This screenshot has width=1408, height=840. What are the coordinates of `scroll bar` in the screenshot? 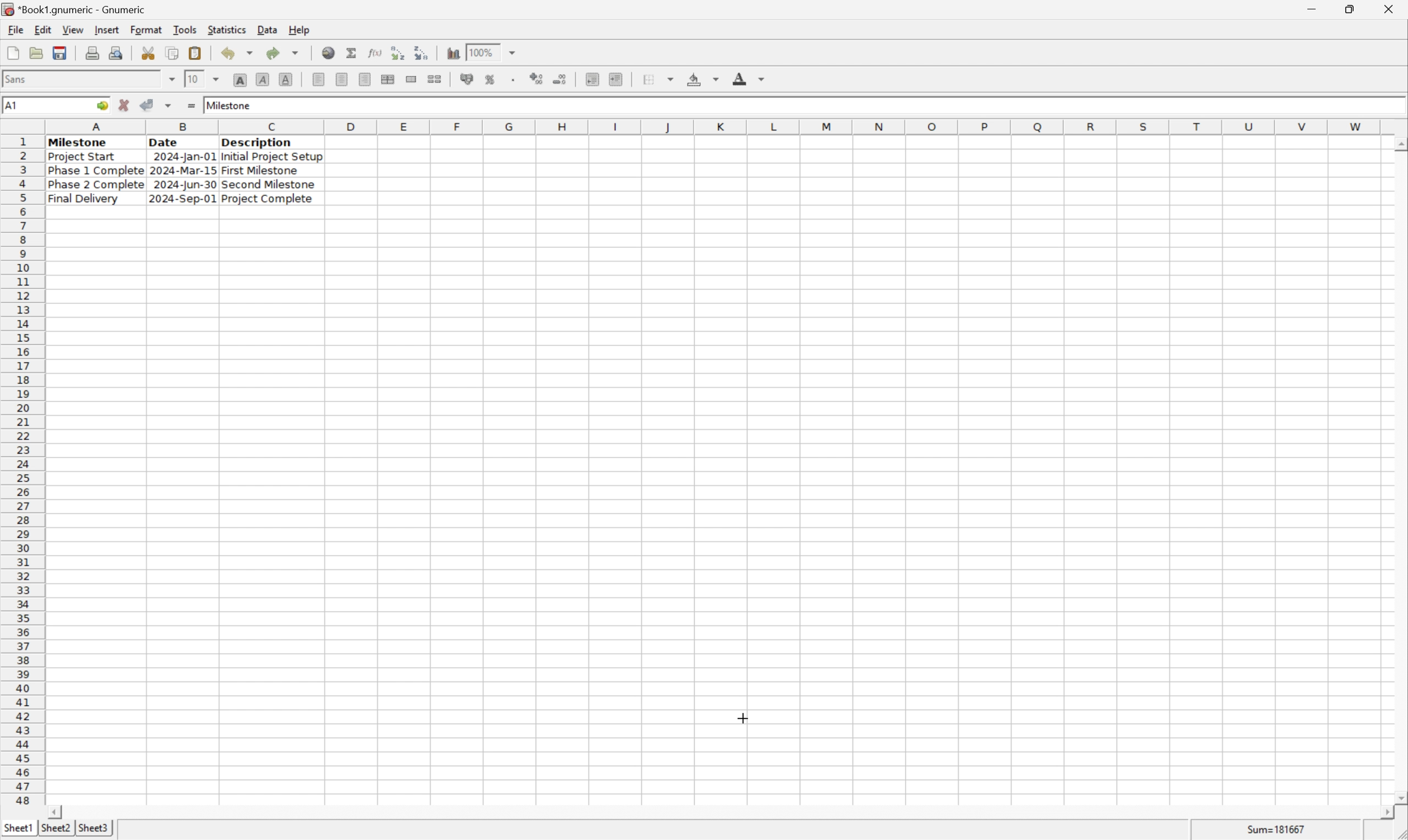 It's located at (720, 812).